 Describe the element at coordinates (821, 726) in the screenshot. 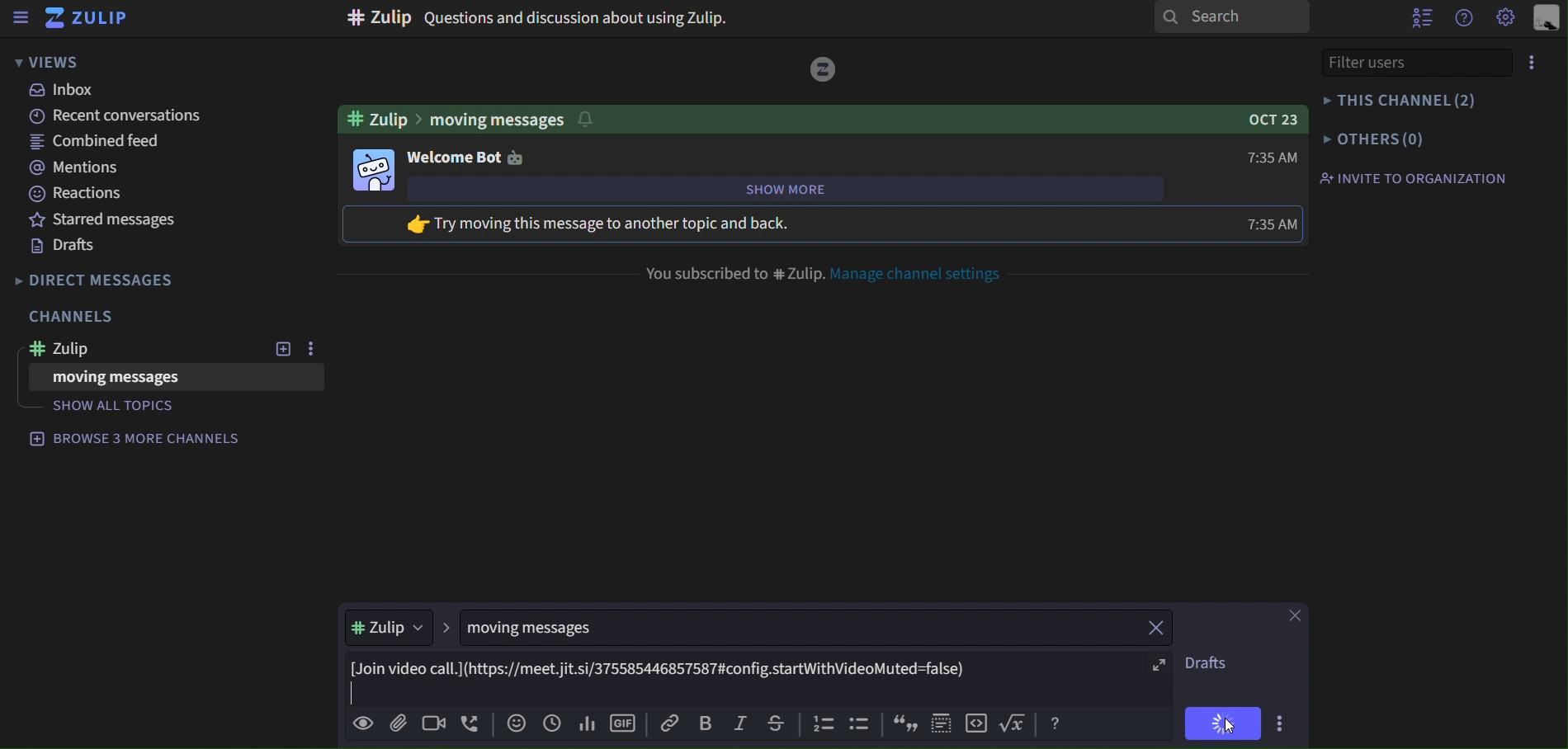

I see `icon` at that location.